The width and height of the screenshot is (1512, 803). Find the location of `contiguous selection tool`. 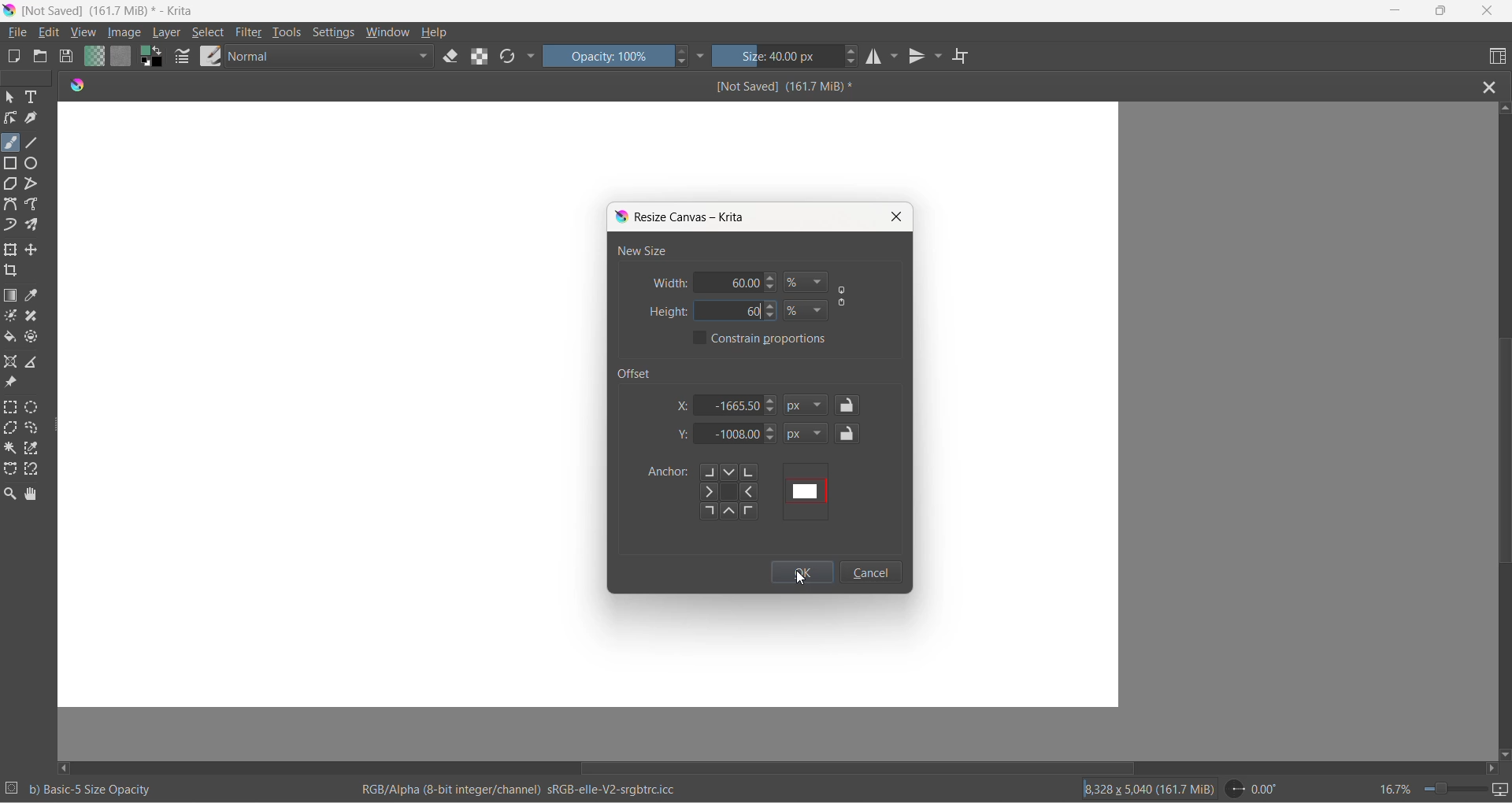

contiguous selection tool is located at coordinates (10, 447).